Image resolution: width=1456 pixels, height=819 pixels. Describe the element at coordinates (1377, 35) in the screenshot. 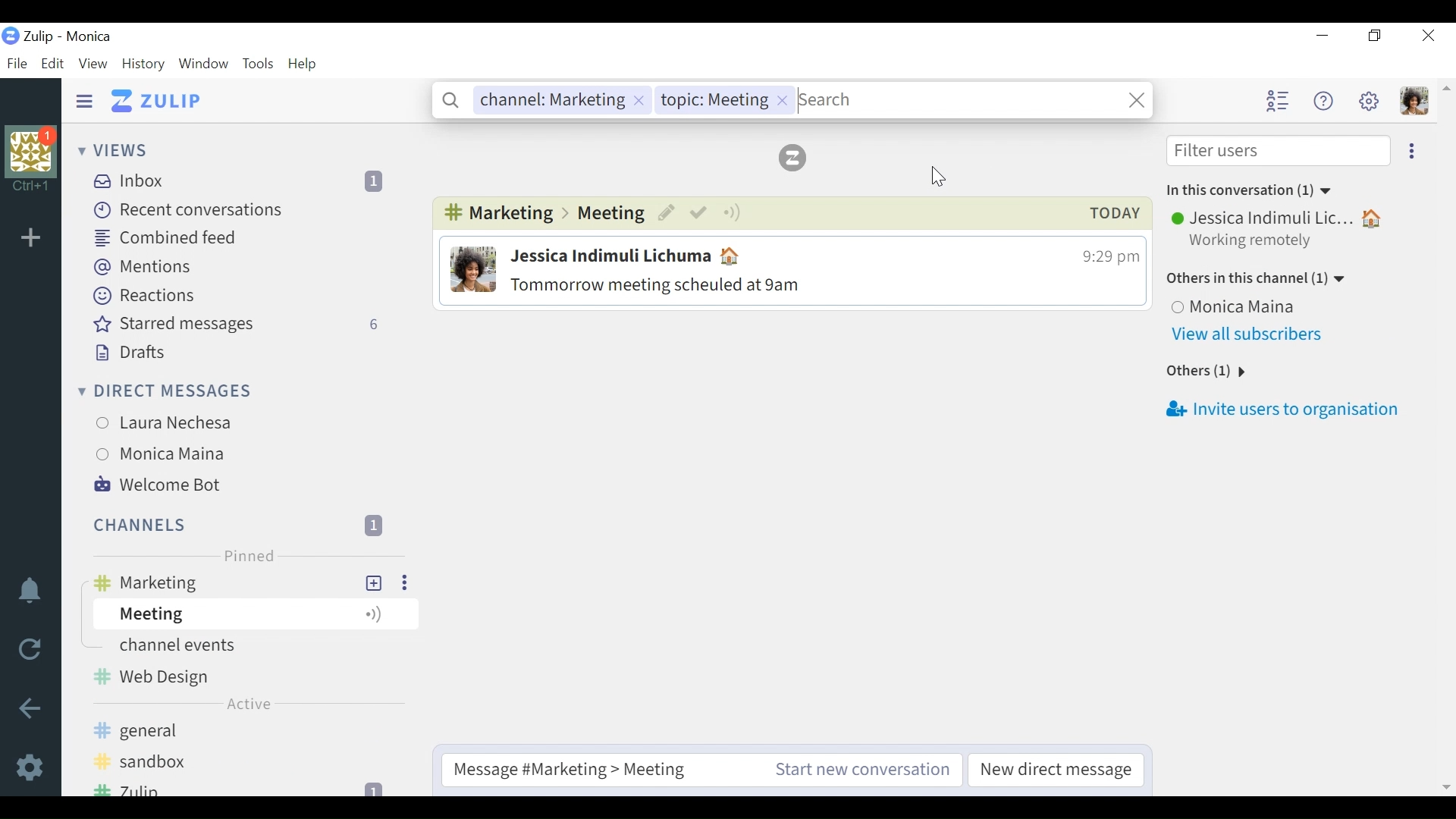

I see `Restore` at that location.